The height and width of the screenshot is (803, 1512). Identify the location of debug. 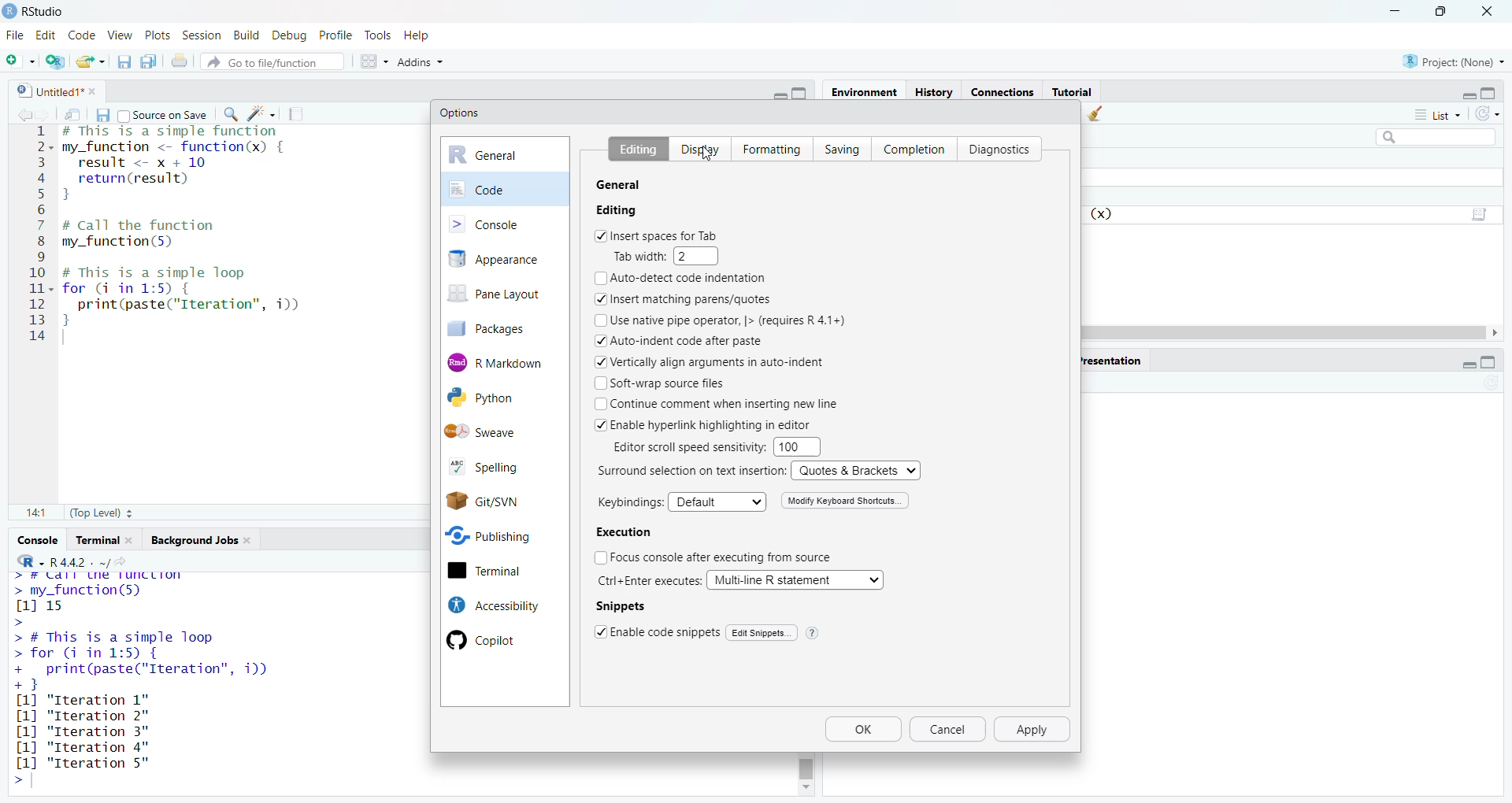
(290, 33).